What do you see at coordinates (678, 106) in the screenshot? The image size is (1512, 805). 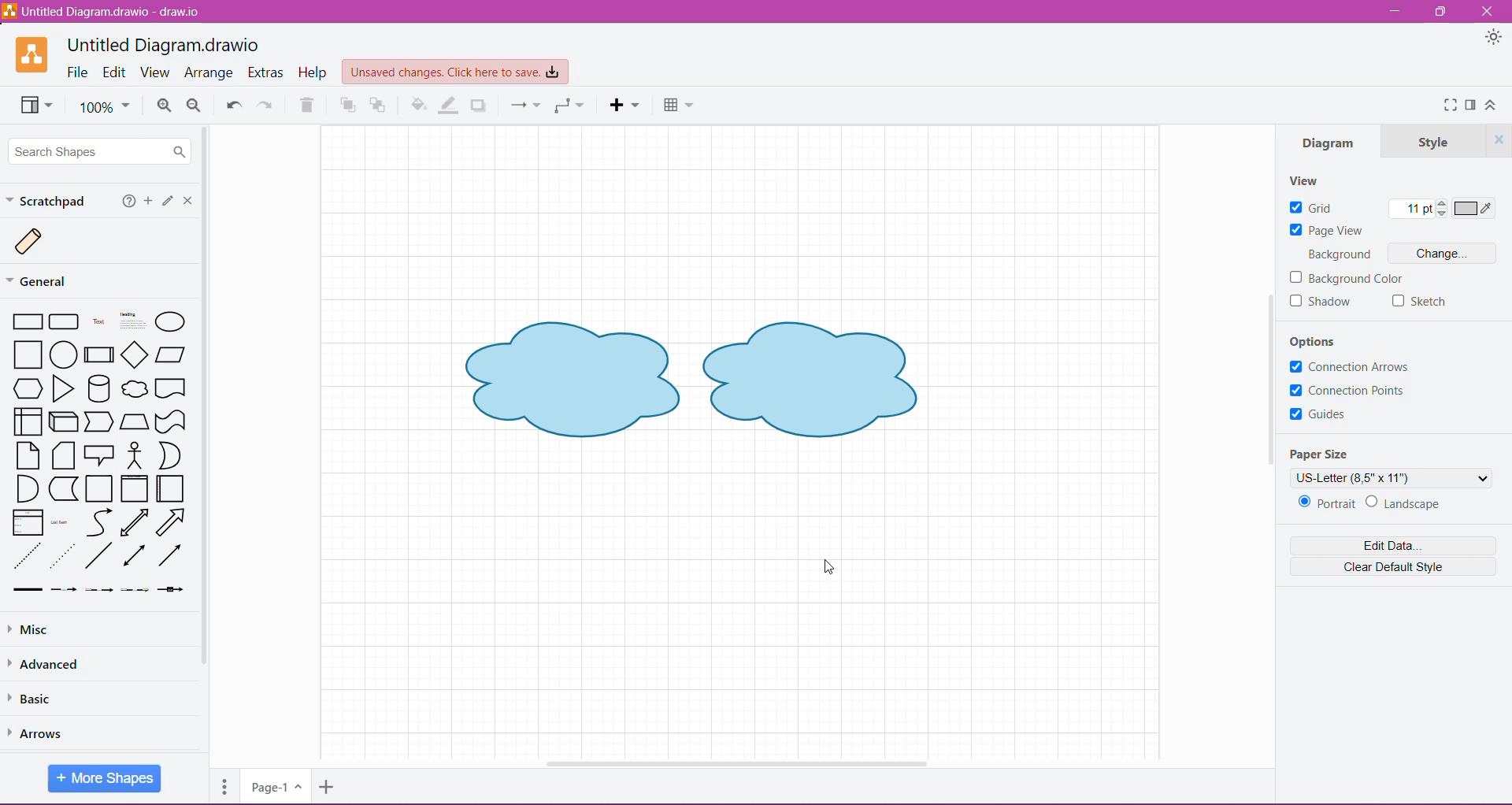 I see `Table` at bounding box center [678, 106].